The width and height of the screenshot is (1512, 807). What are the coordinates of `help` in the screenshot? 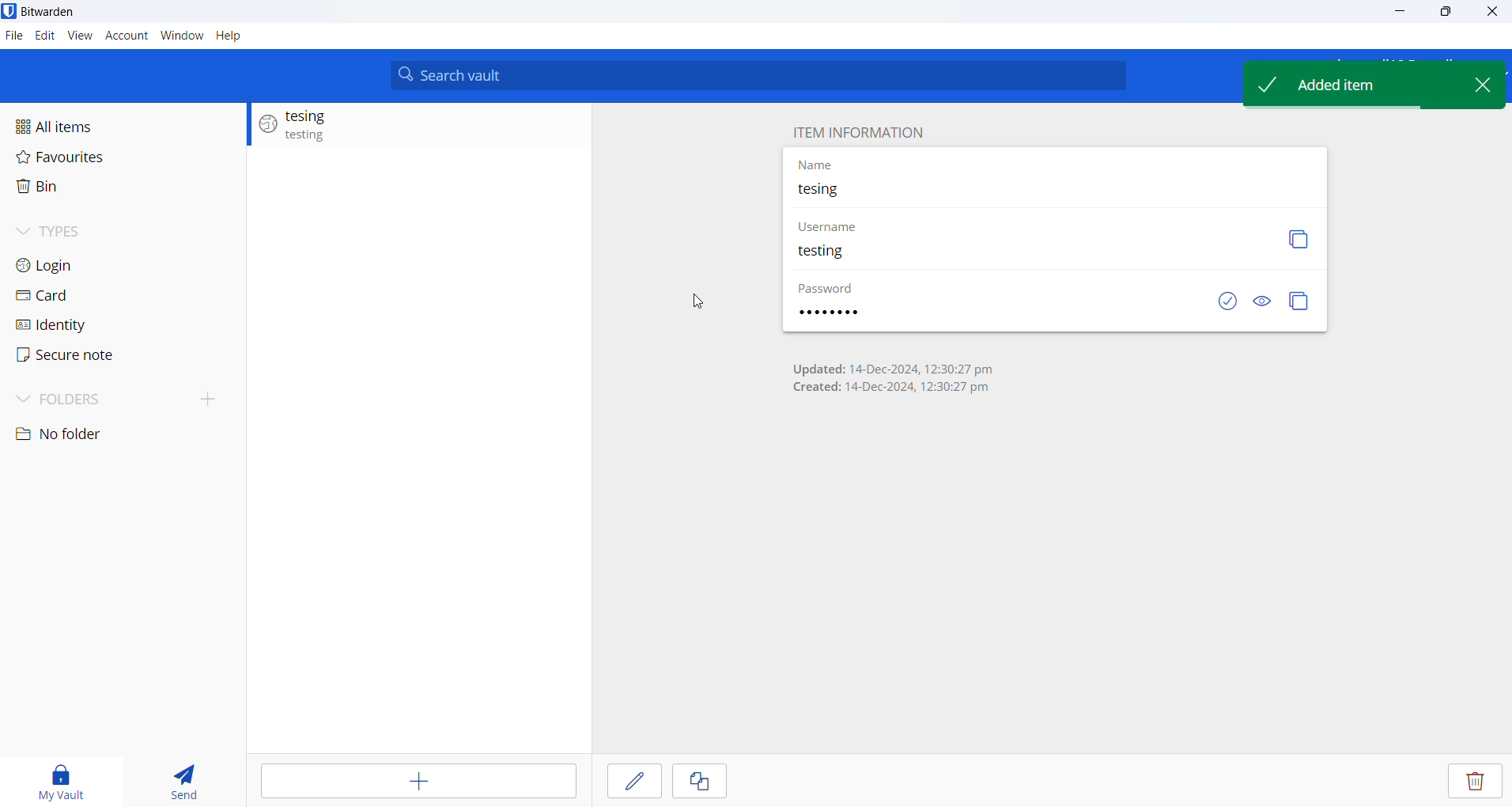 It's located at (239, 36).